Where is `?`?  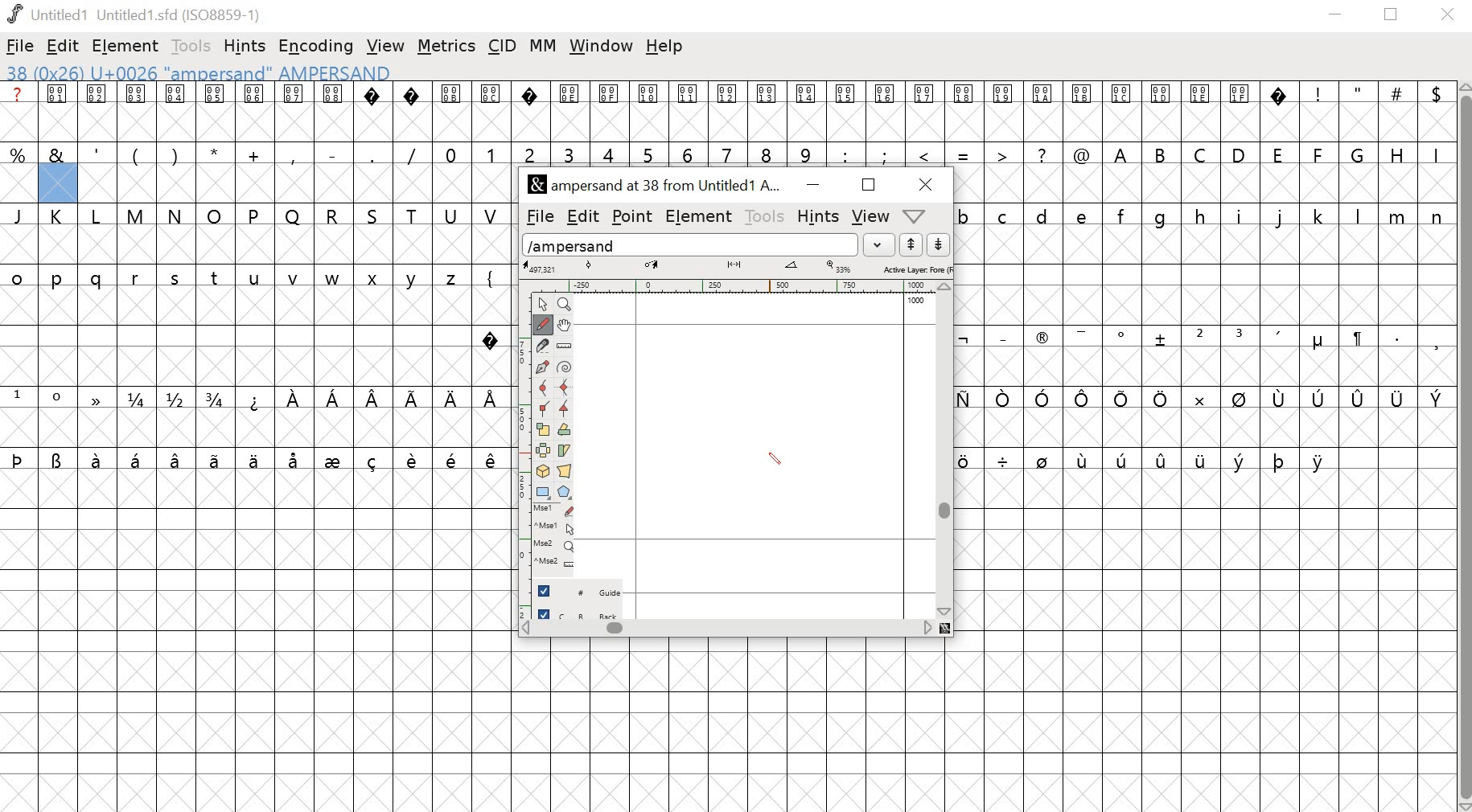
? is located at coordinates (491, 337).